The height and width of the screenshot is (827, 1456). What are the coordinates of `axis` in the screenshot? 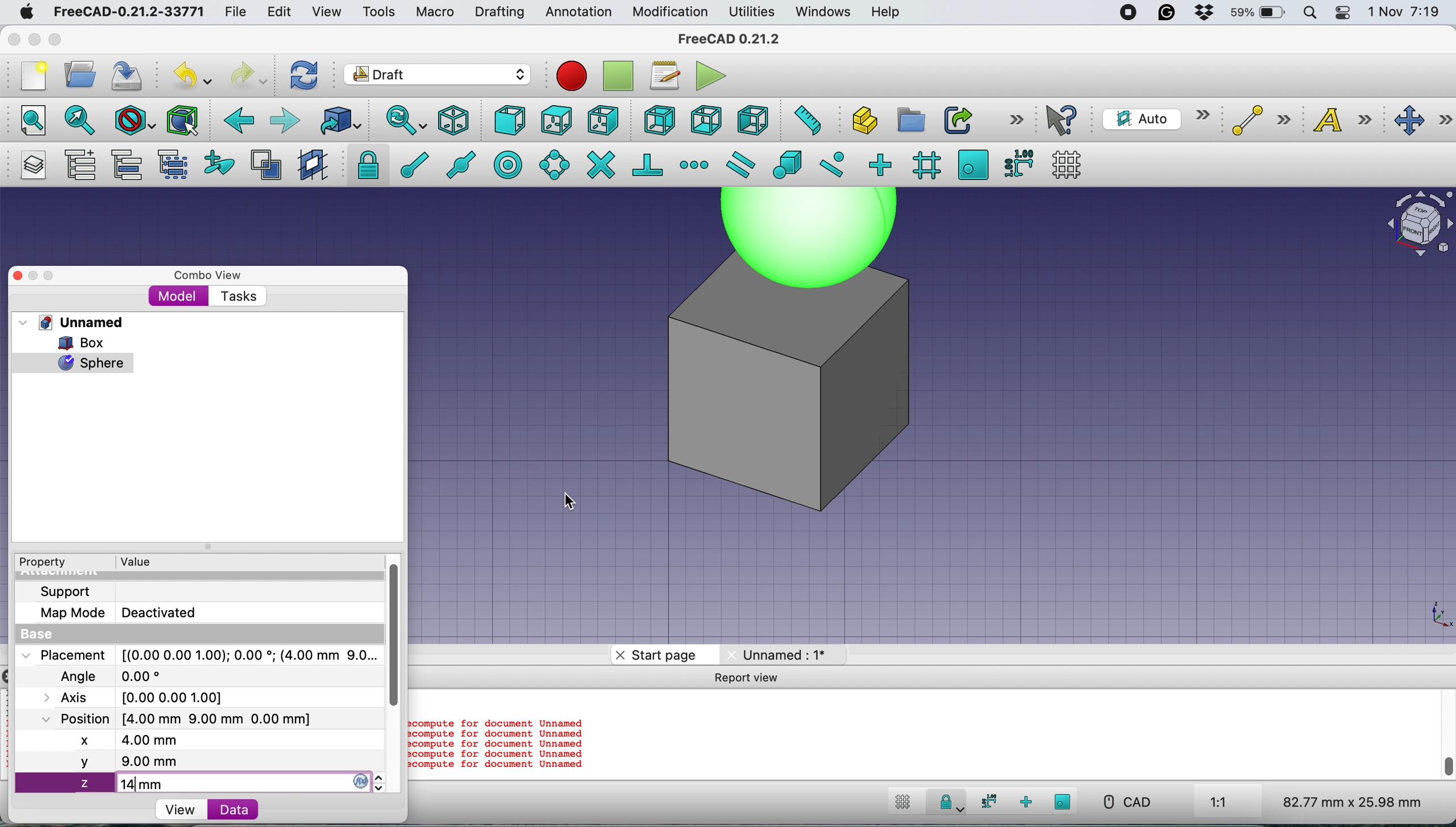 It's located at (147, 697).